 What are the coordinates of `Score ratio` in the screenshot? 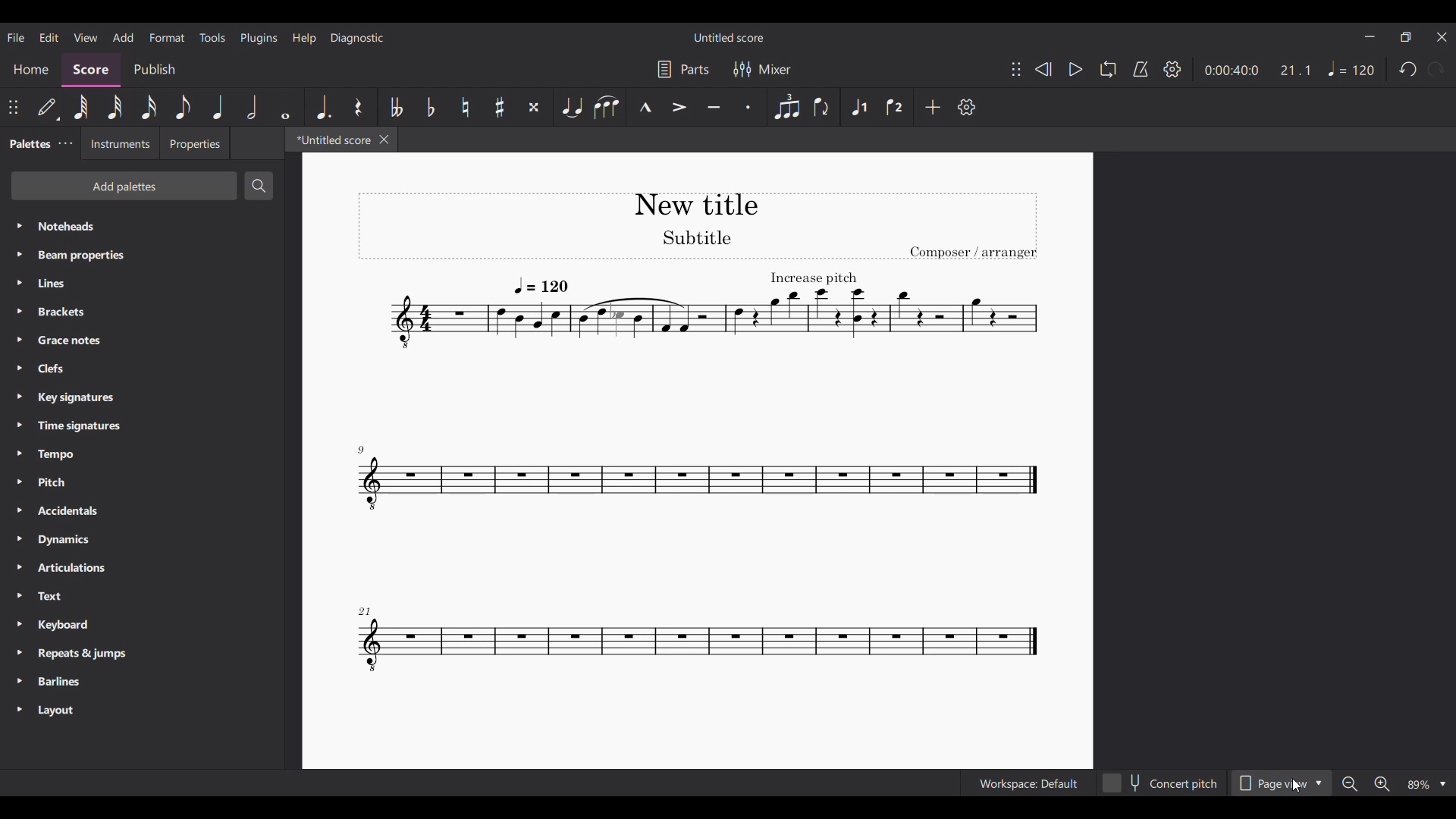 It's located at (1296, 71).